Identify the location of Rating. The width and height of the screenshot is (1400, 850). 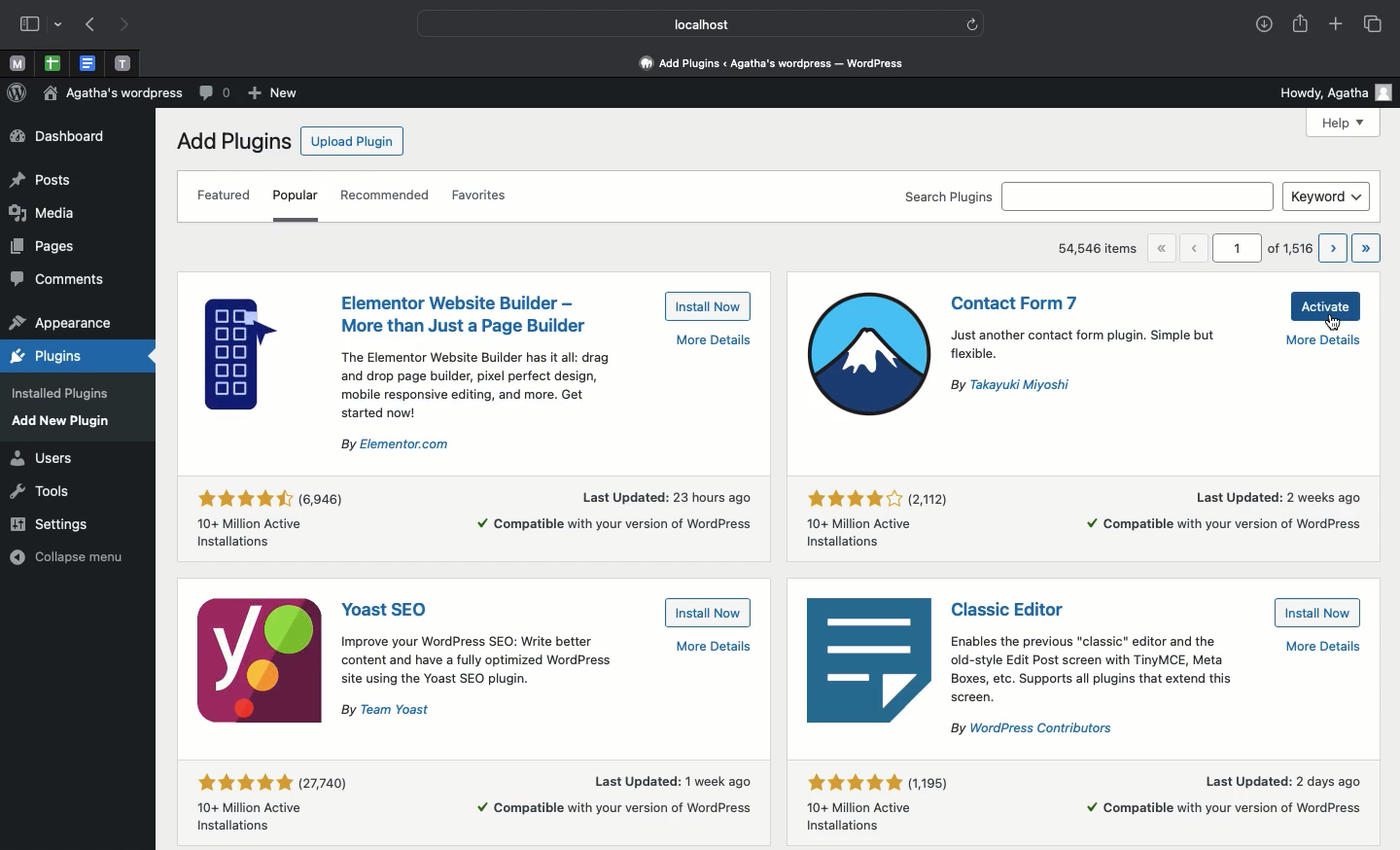
(884, 521).